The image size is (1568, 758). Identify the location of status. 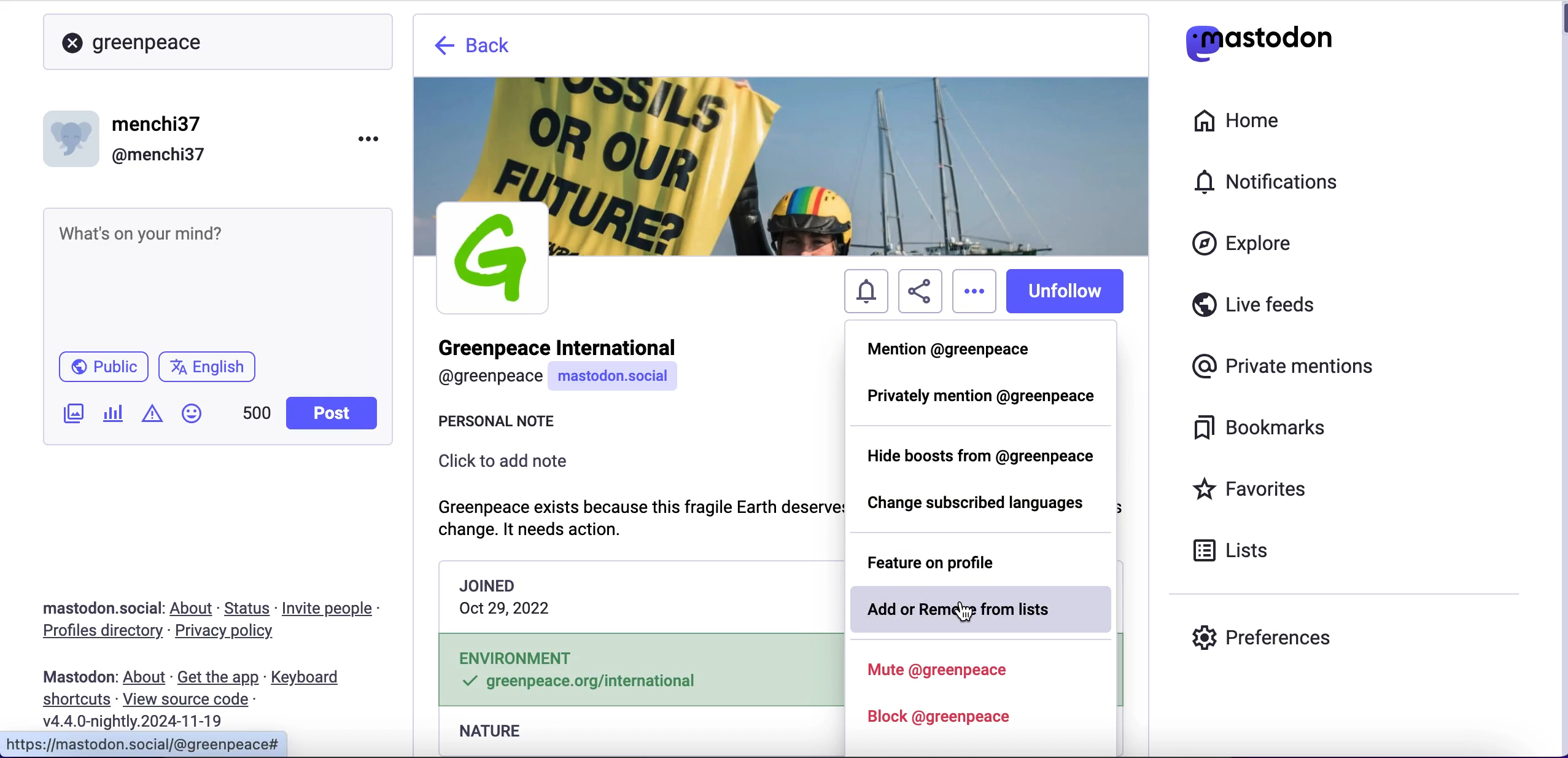
(249, 608).